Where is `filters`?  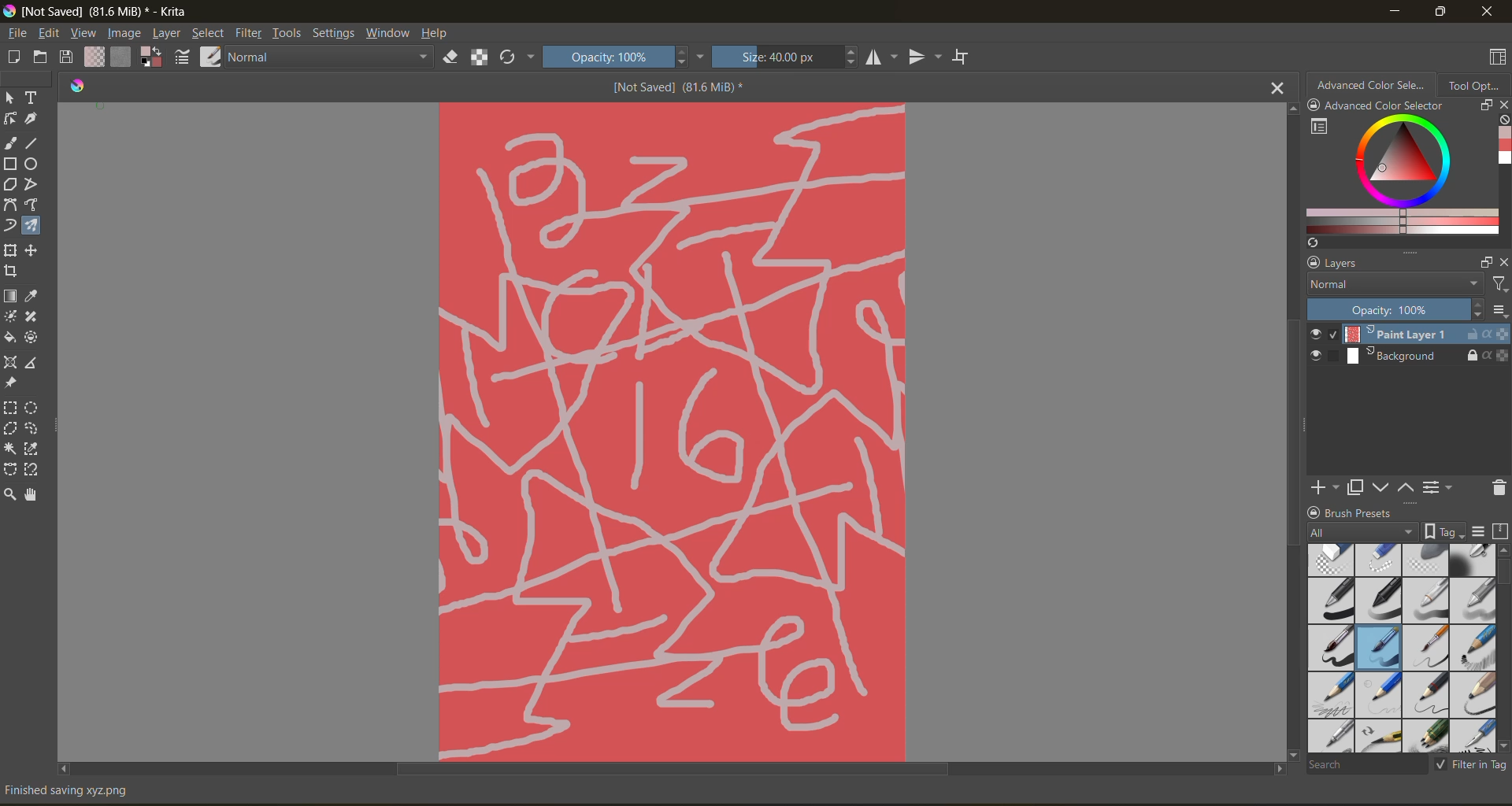 filters is located at coordinates (1499, 285).